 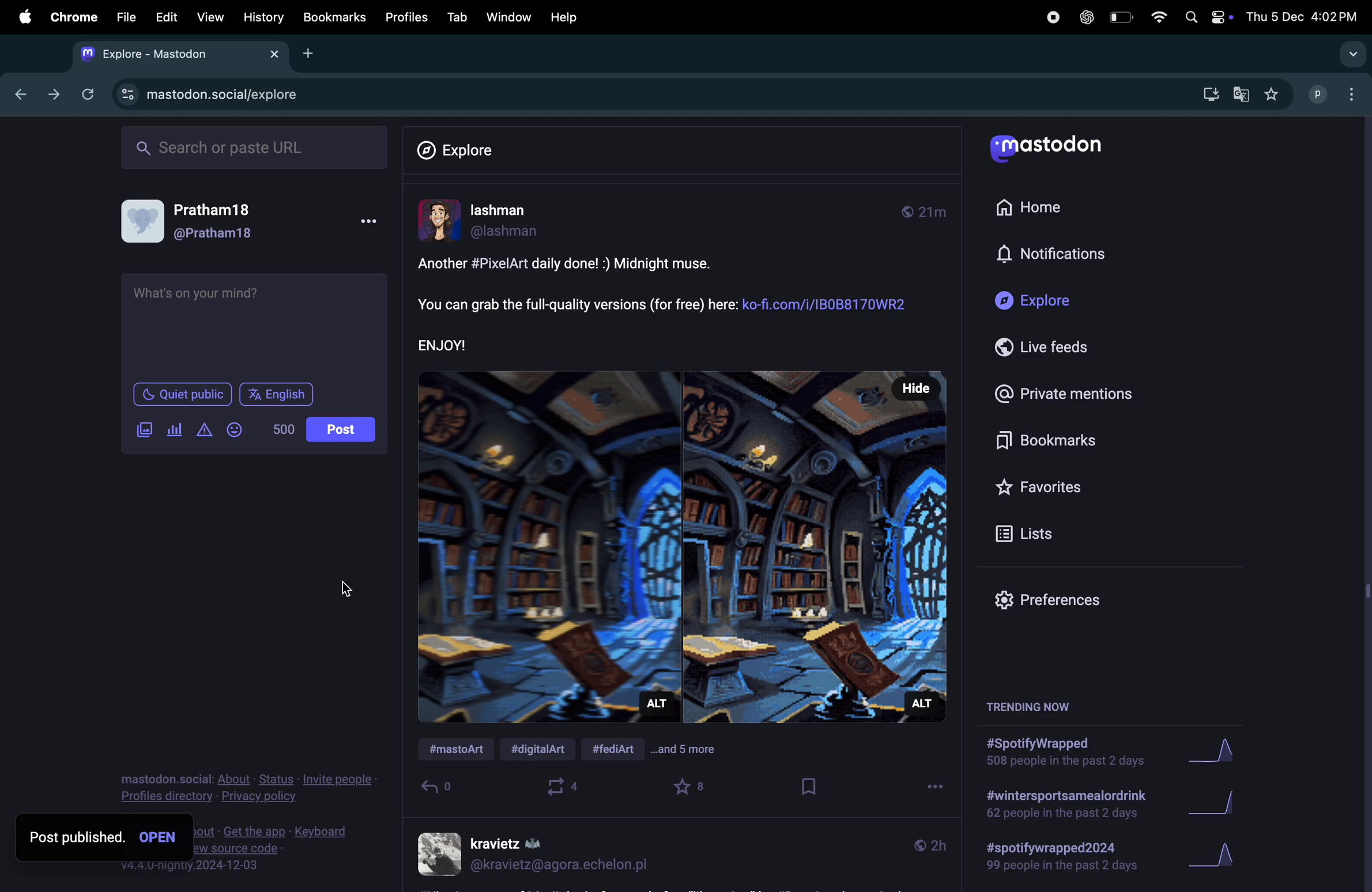 I want to click on lists, so click(x=1039, y=532).